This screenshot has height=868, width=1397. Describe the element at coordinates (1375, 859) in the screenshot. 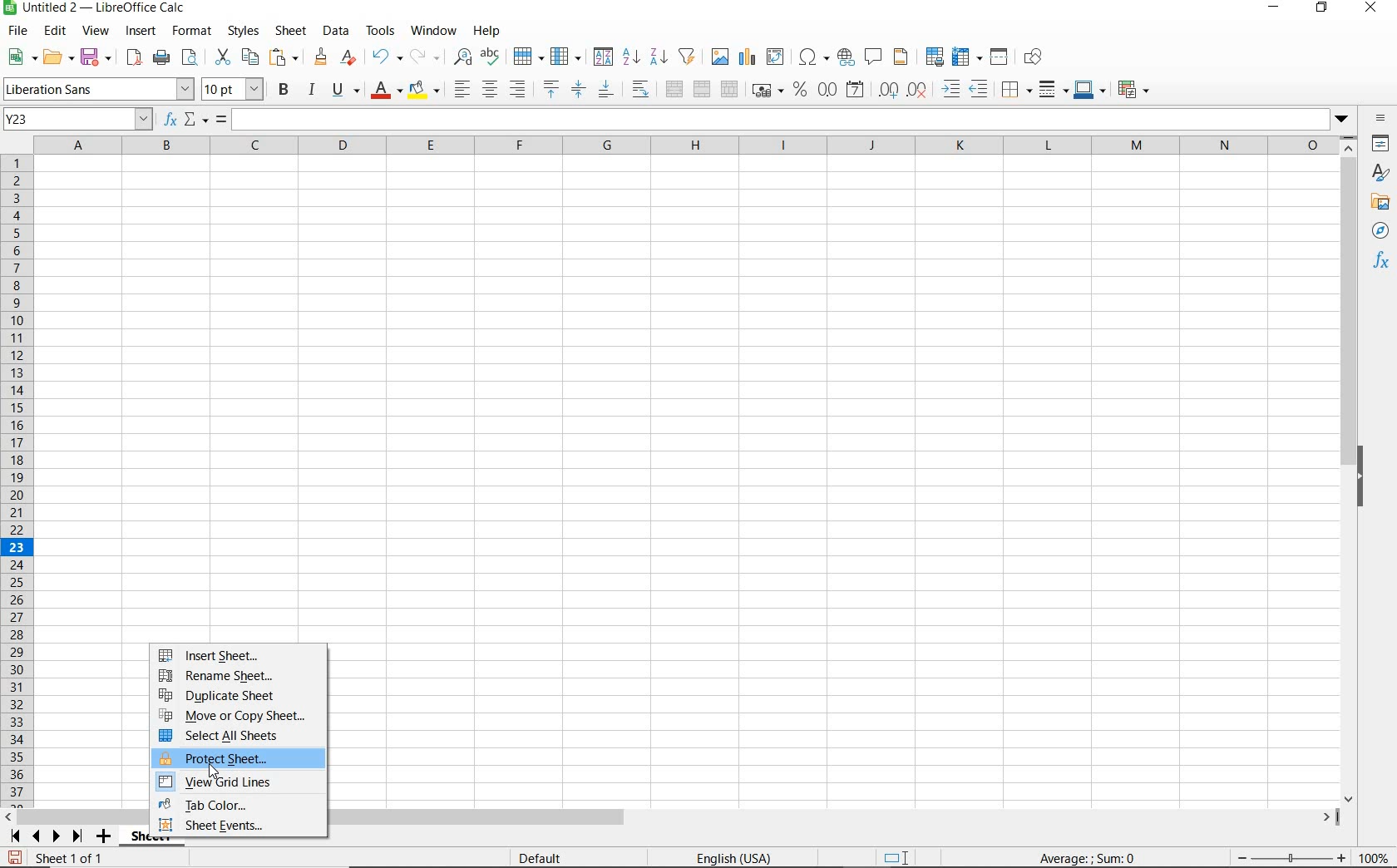

I see `ZOOM FACTOR` at that location.